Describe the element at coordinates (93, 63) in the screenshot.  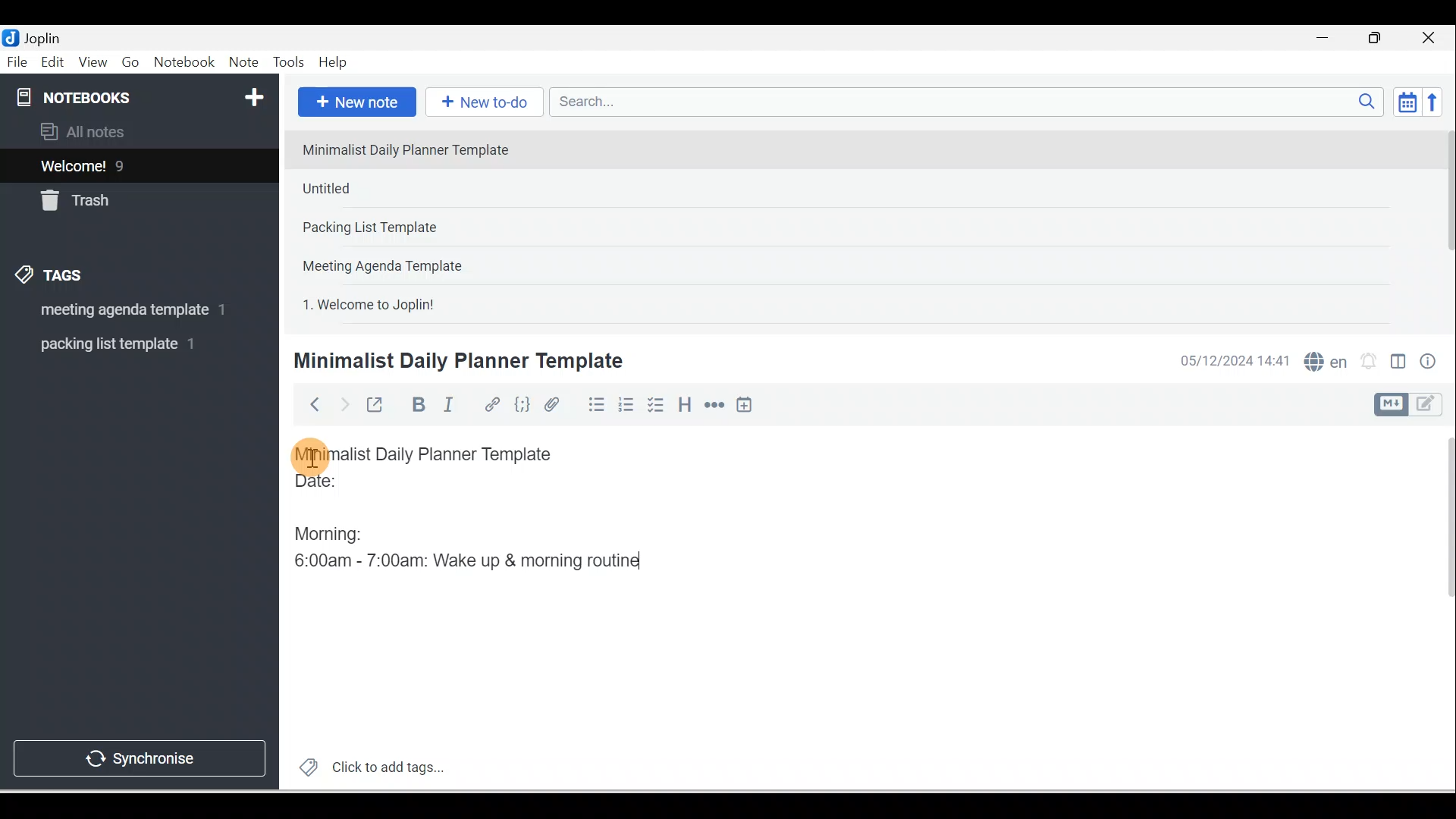
I see `View` at that location.